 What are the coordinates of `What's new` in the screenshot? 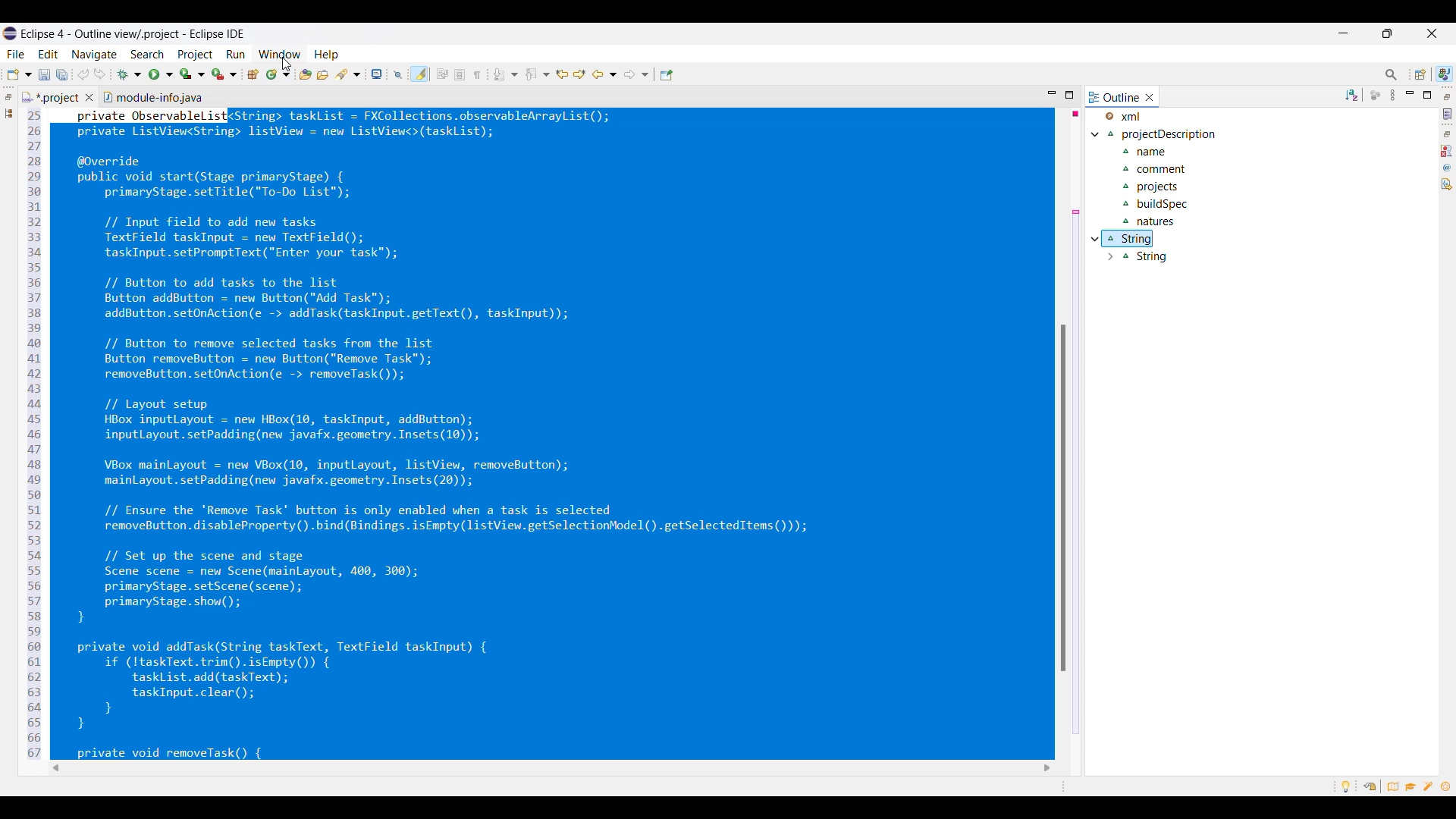 It's located at (1446, 786).